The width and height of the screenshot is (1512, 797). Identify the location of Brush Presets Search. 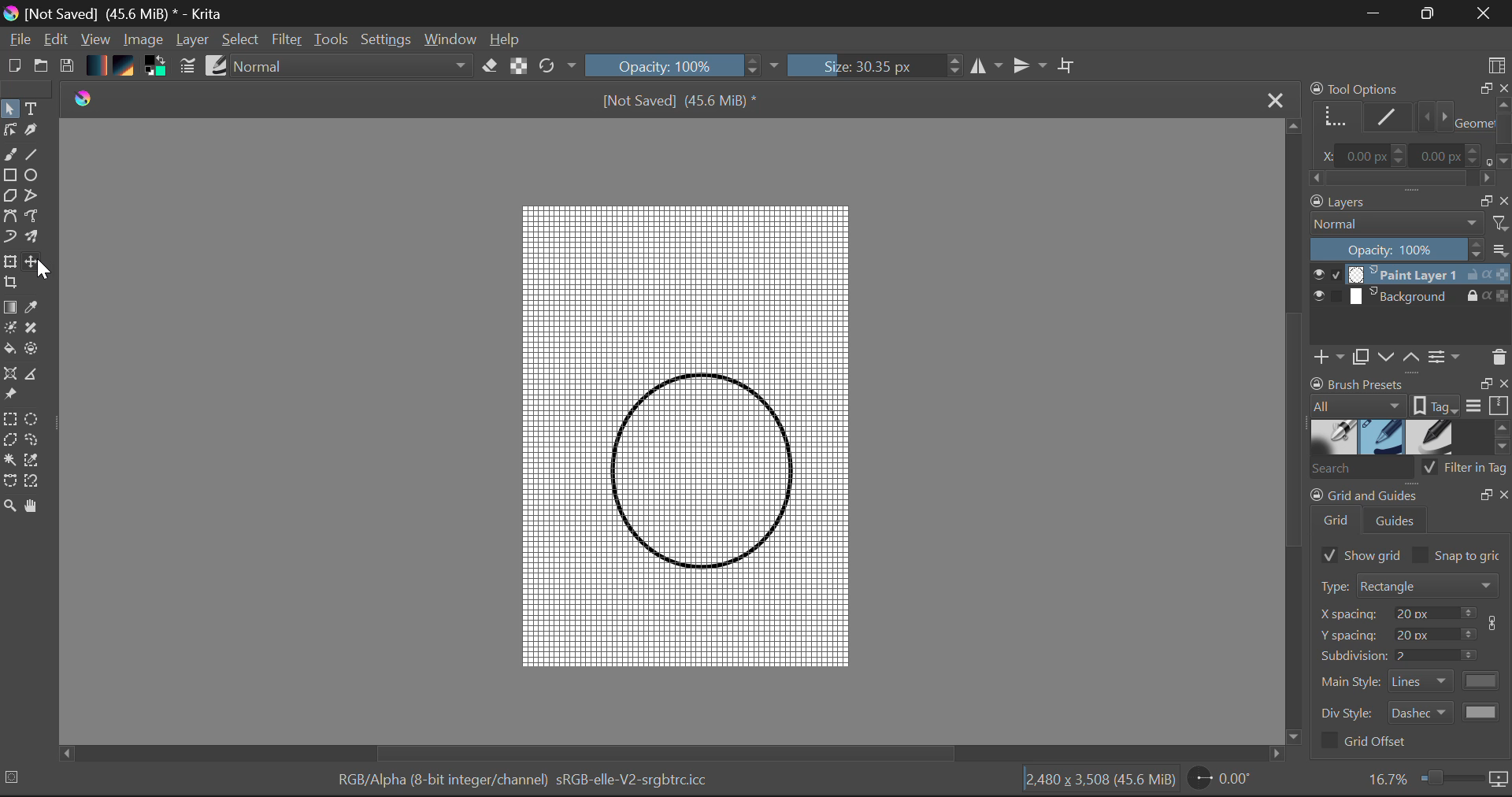
(1410, 472).